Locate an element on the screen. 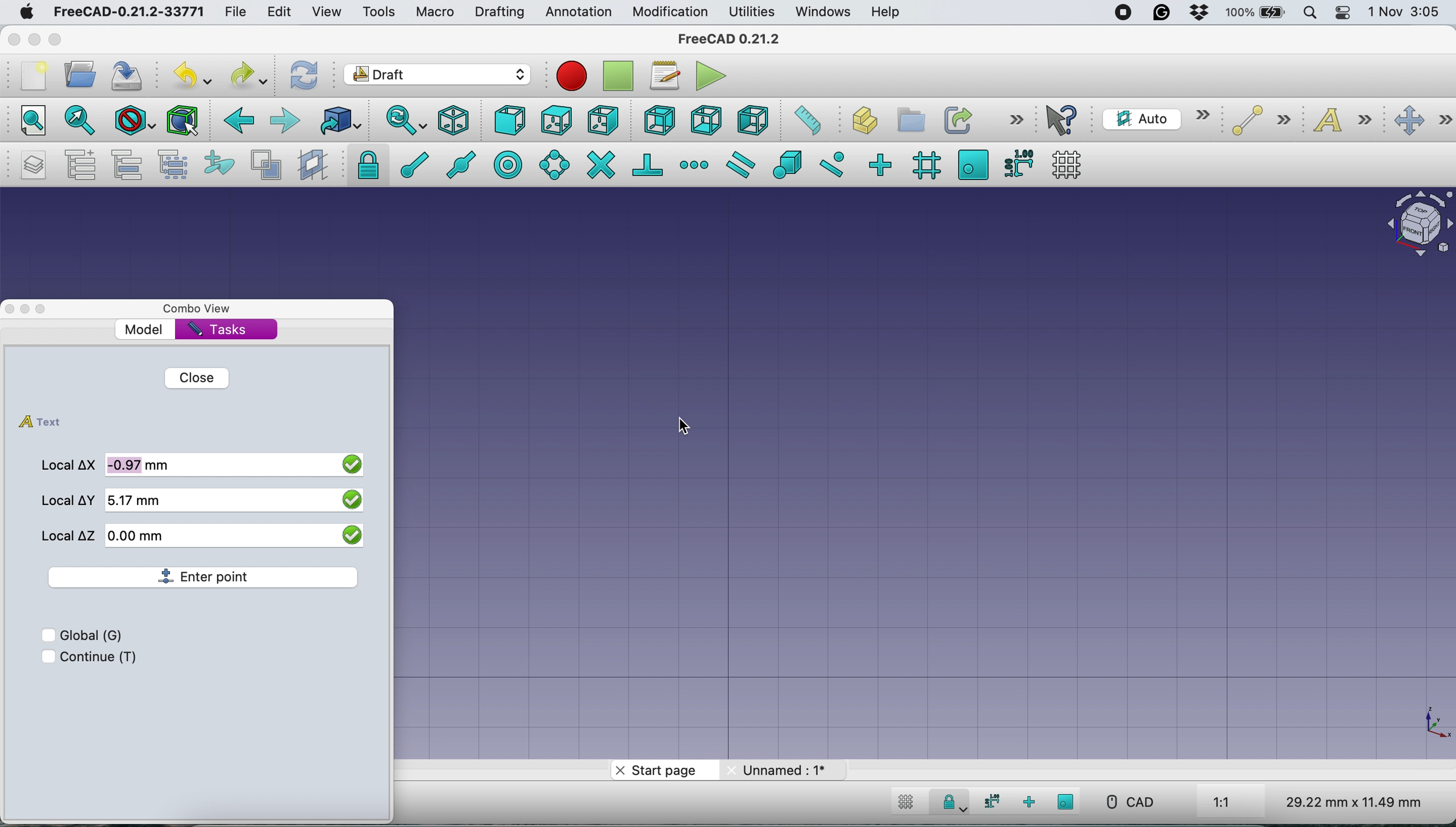  dropbox is located at coordinates (1200, 14).